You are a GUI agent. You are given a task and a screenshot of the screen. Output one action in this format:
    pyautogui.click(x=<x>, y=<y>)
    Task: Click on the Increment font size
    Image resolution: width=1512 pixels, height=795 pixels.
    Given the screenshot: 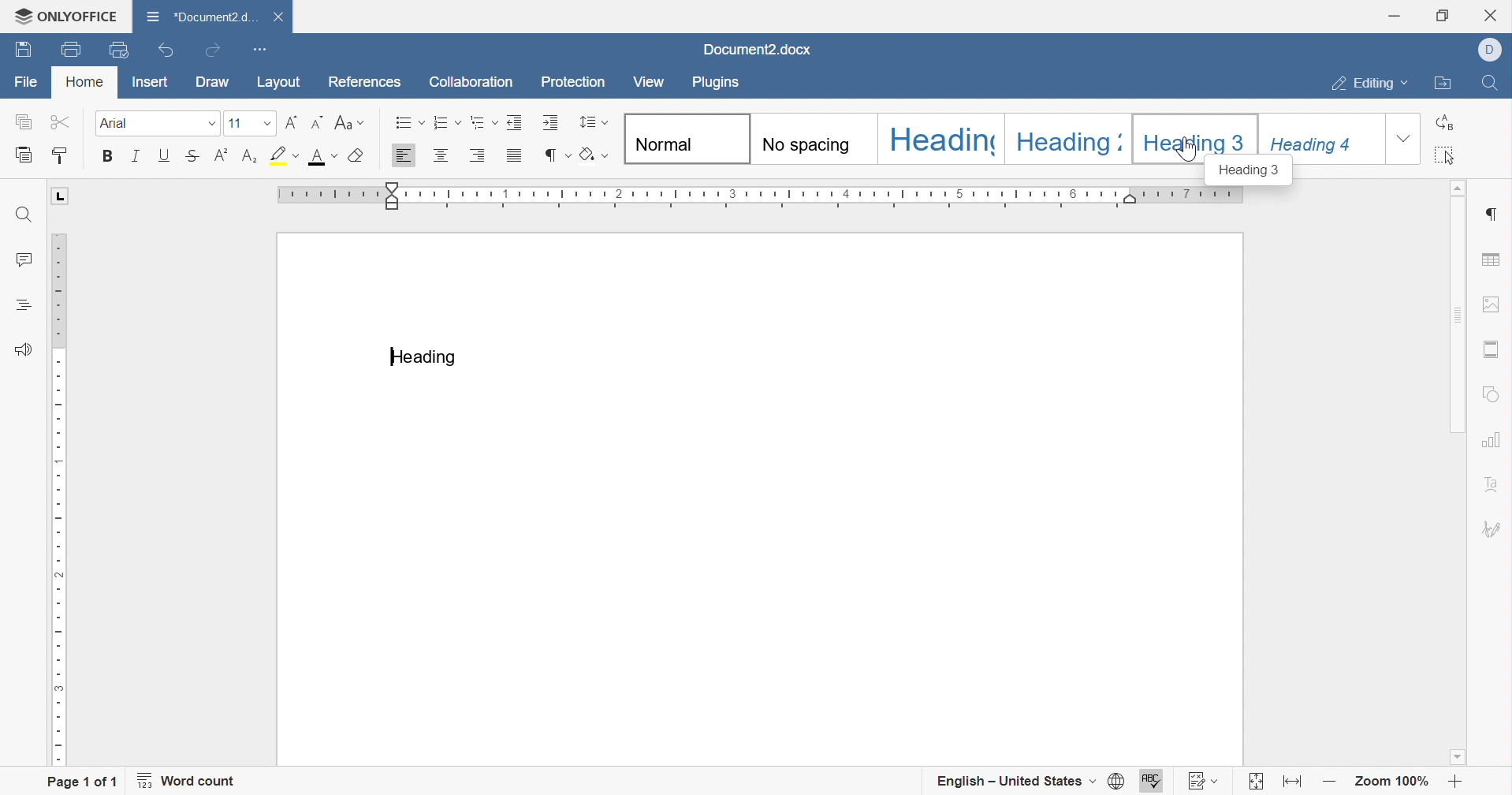 What is the action you would take?
    pyautogui.click(x=287, y=123)
    